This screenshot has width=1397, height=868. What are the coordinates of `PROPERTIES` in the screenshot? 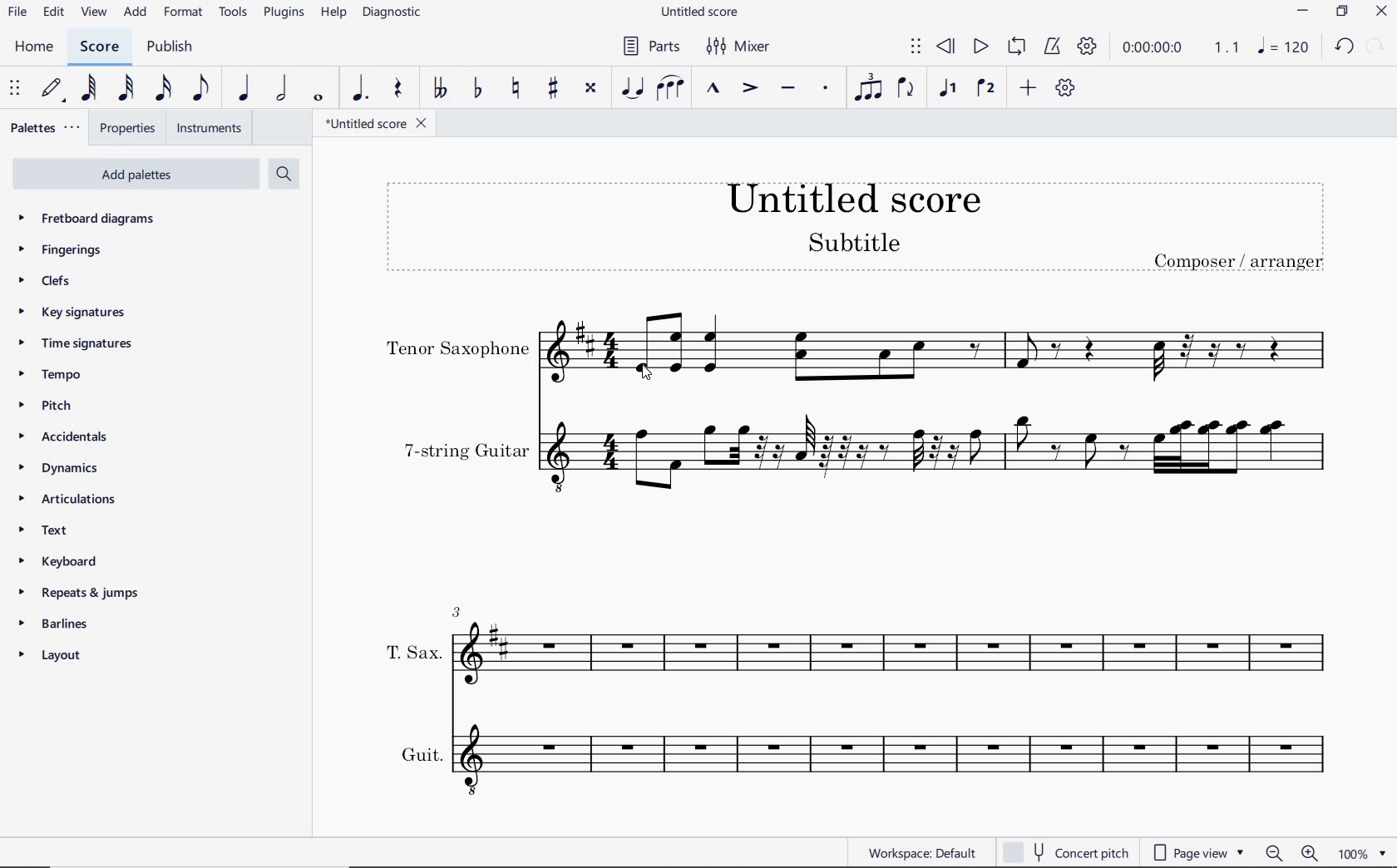 It's located at (130, 128).